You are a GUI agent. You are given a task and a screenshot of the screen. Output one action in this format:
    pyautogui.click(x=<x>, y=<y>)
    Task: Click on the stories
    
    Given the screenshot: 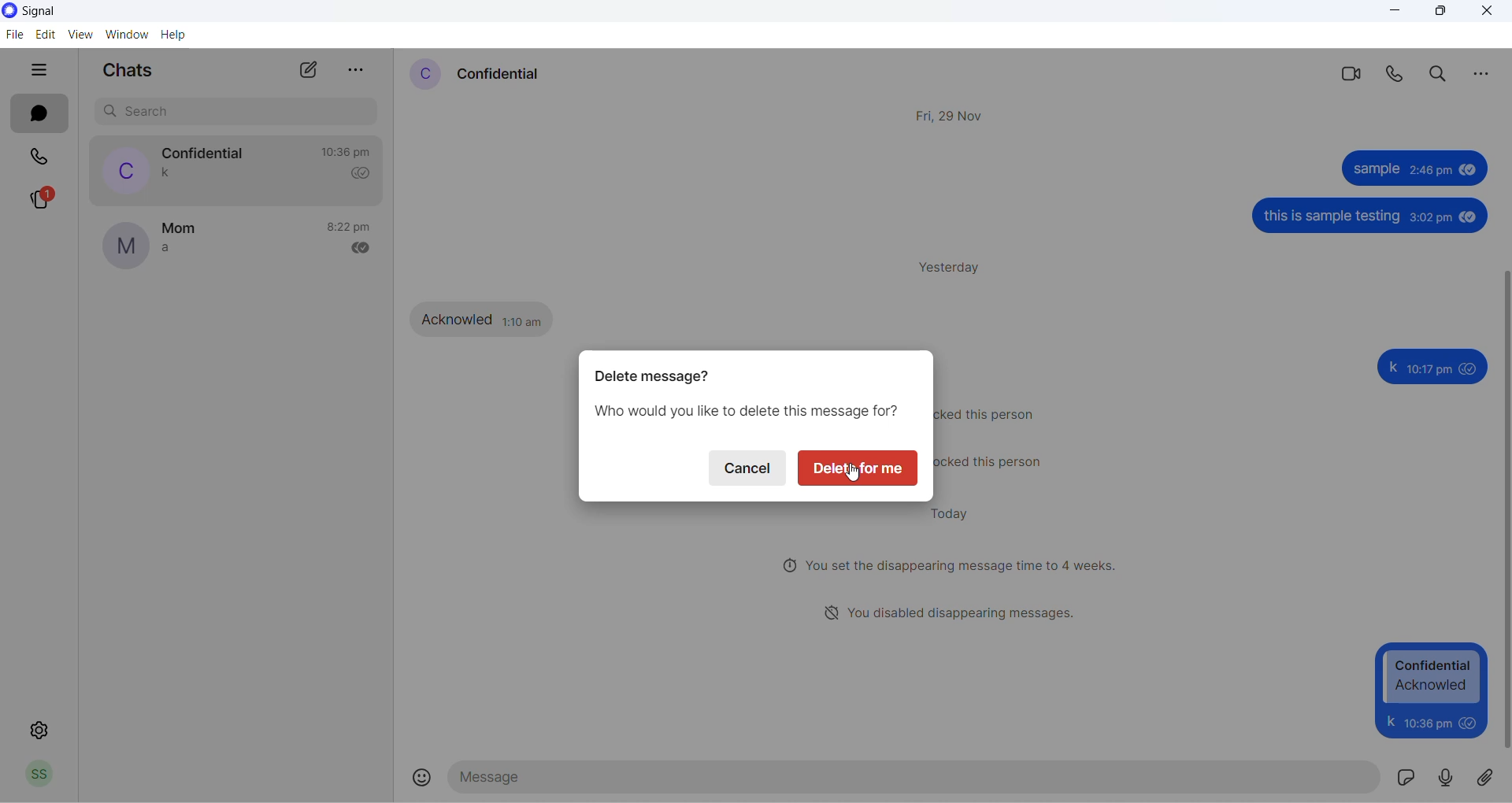 What is the action you would take?
    pyautogui.click(x=40, y=198)
    